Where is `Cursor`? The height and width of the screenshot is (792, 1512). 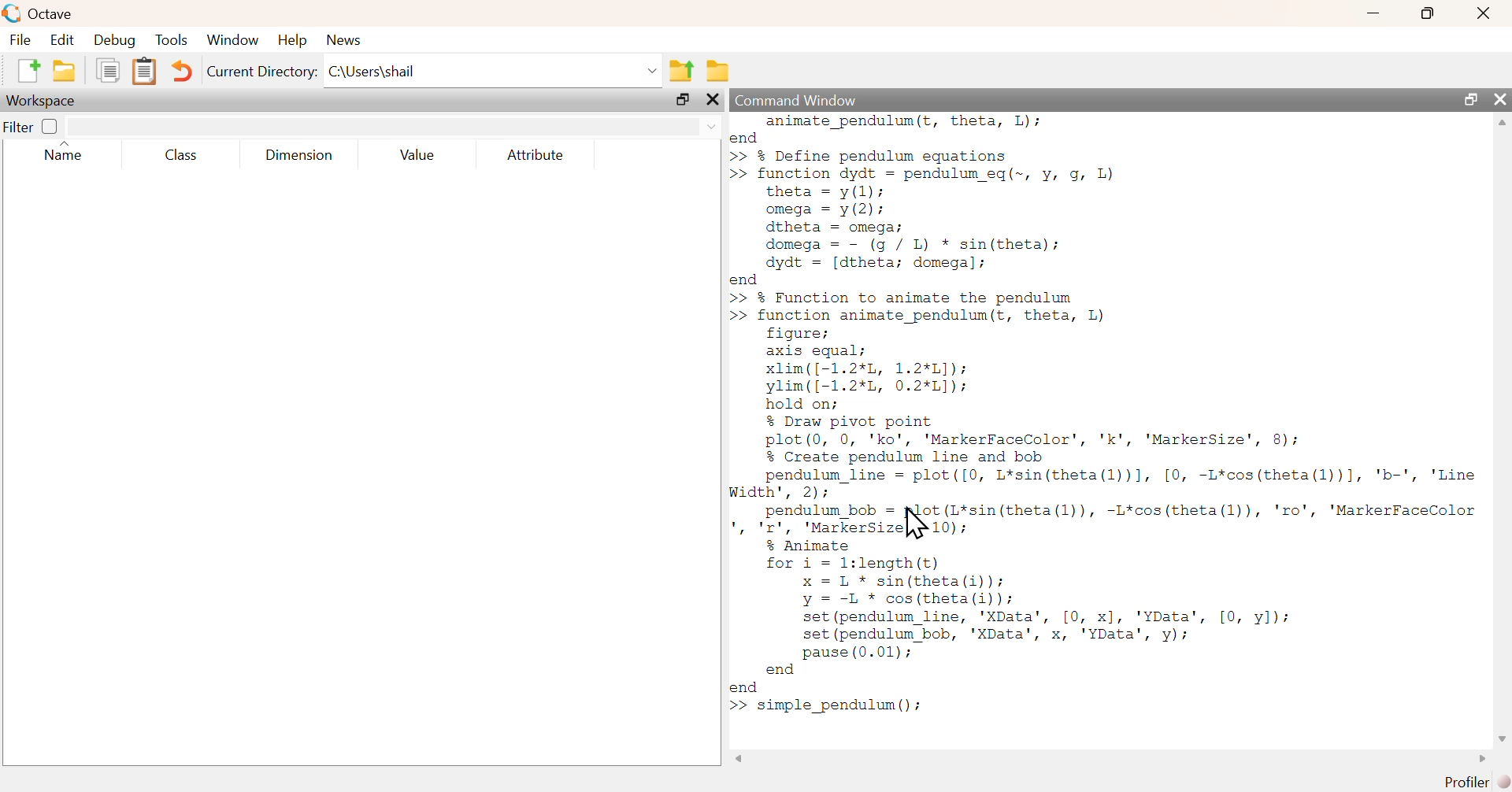
Cursor is located at coordinates (915, 522).